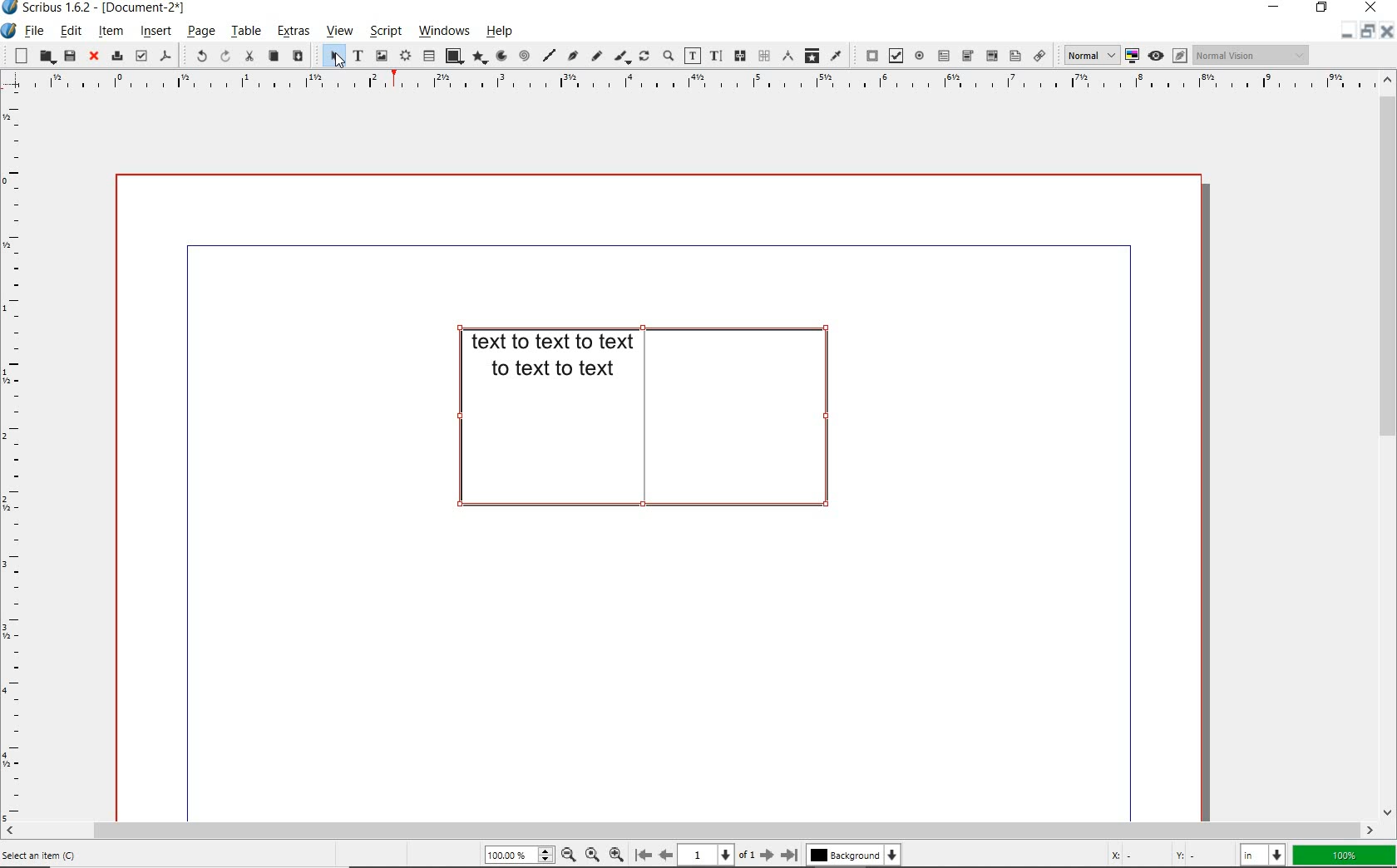 The height and width of the screenshot is (868, 1397). What do you see at coordinates (768, 855) in the screenshot?
I see `go to next page` at bounding box center [768, 855].